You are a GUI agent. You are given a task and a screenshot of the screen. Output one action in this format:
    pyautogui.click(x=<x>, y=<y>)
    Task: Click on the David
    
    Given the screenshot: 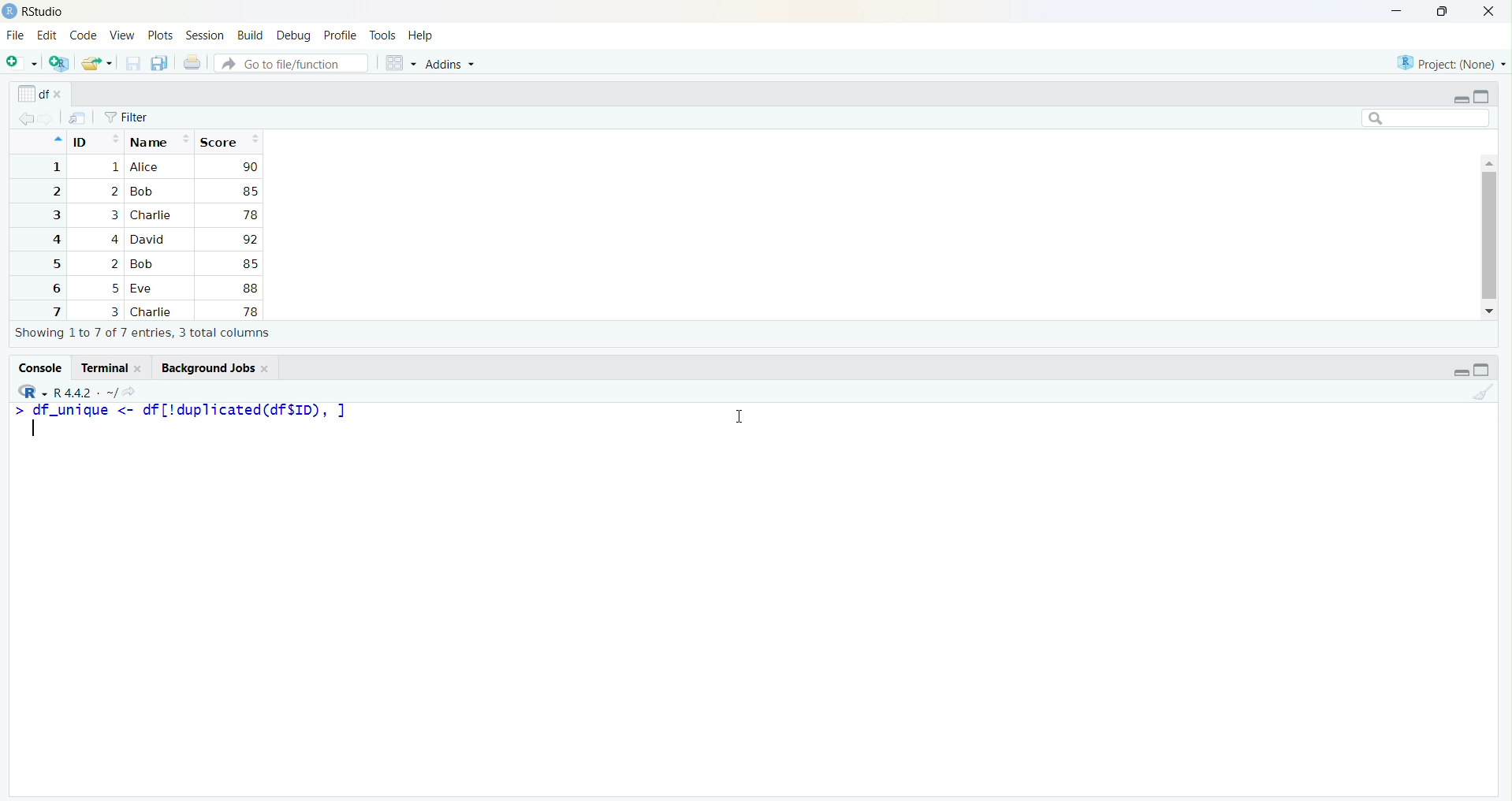 What is the action you would take?
    pyautogui.click(x=150, y=238)
    